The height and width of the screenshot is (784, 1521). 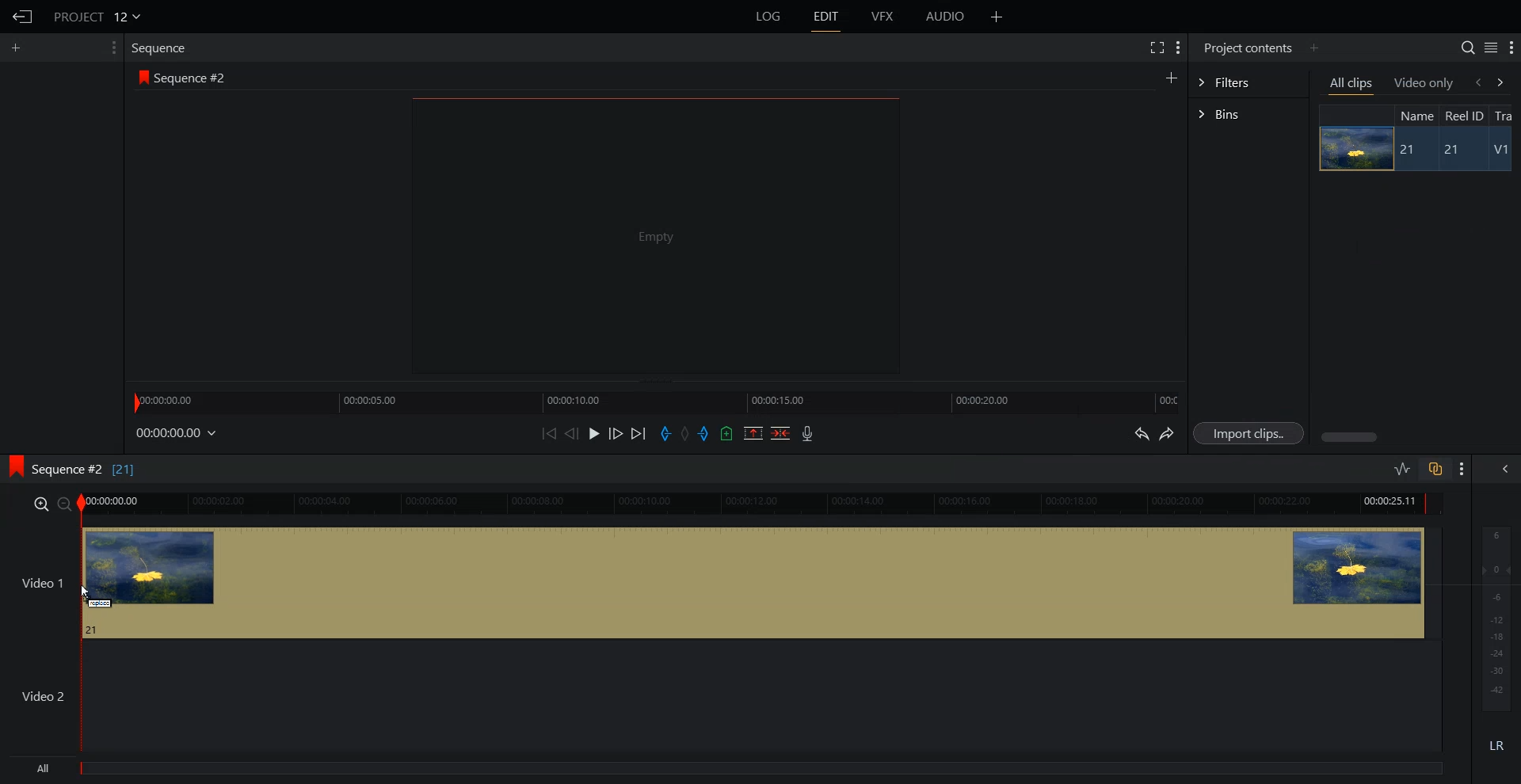 I want to click on Nudge one frame forward, so click(x=616, y=432).